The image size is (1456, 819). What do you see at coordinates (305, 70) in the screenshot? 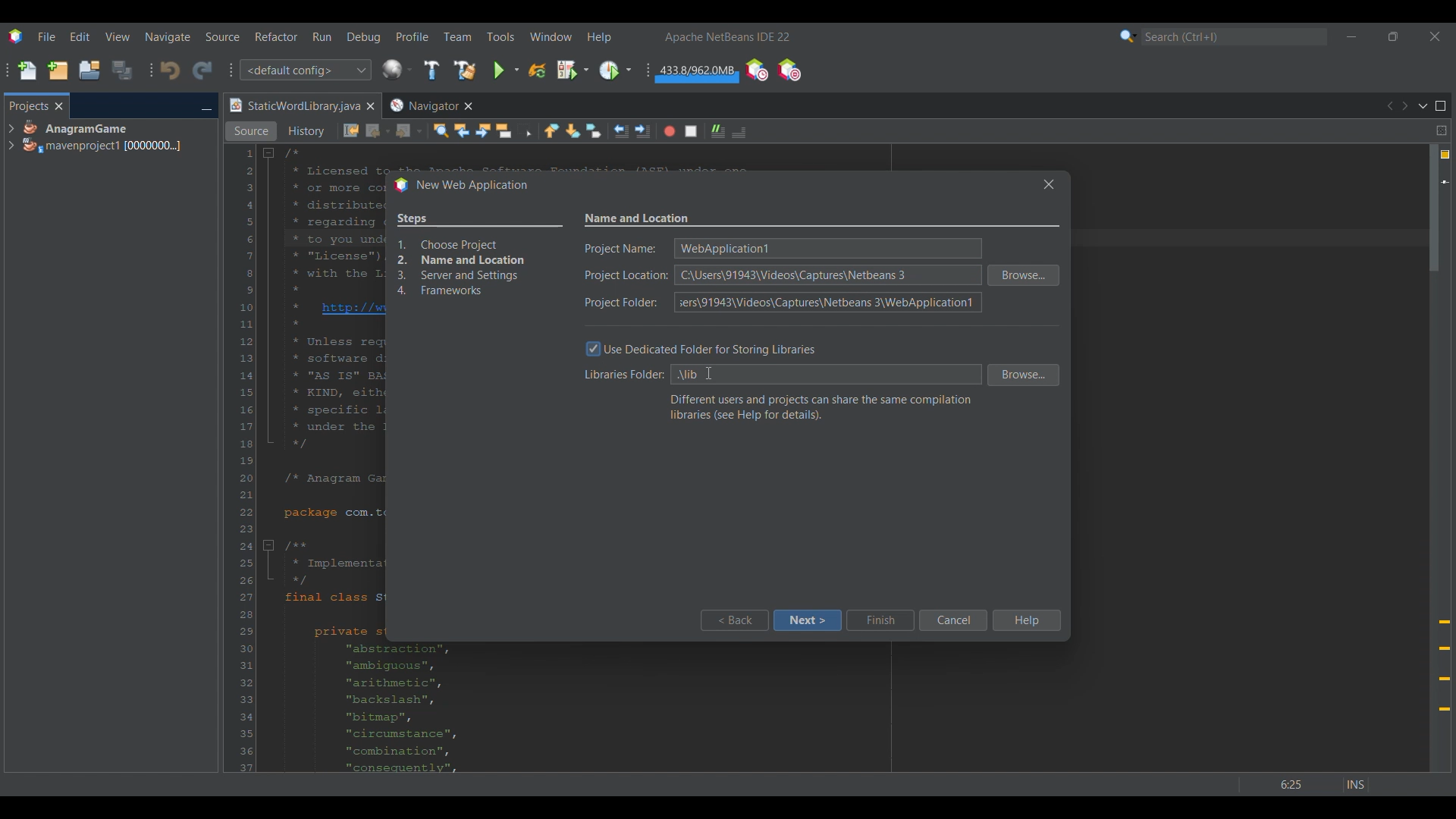
I see `Configuration options` at bounding box center [305, 70].